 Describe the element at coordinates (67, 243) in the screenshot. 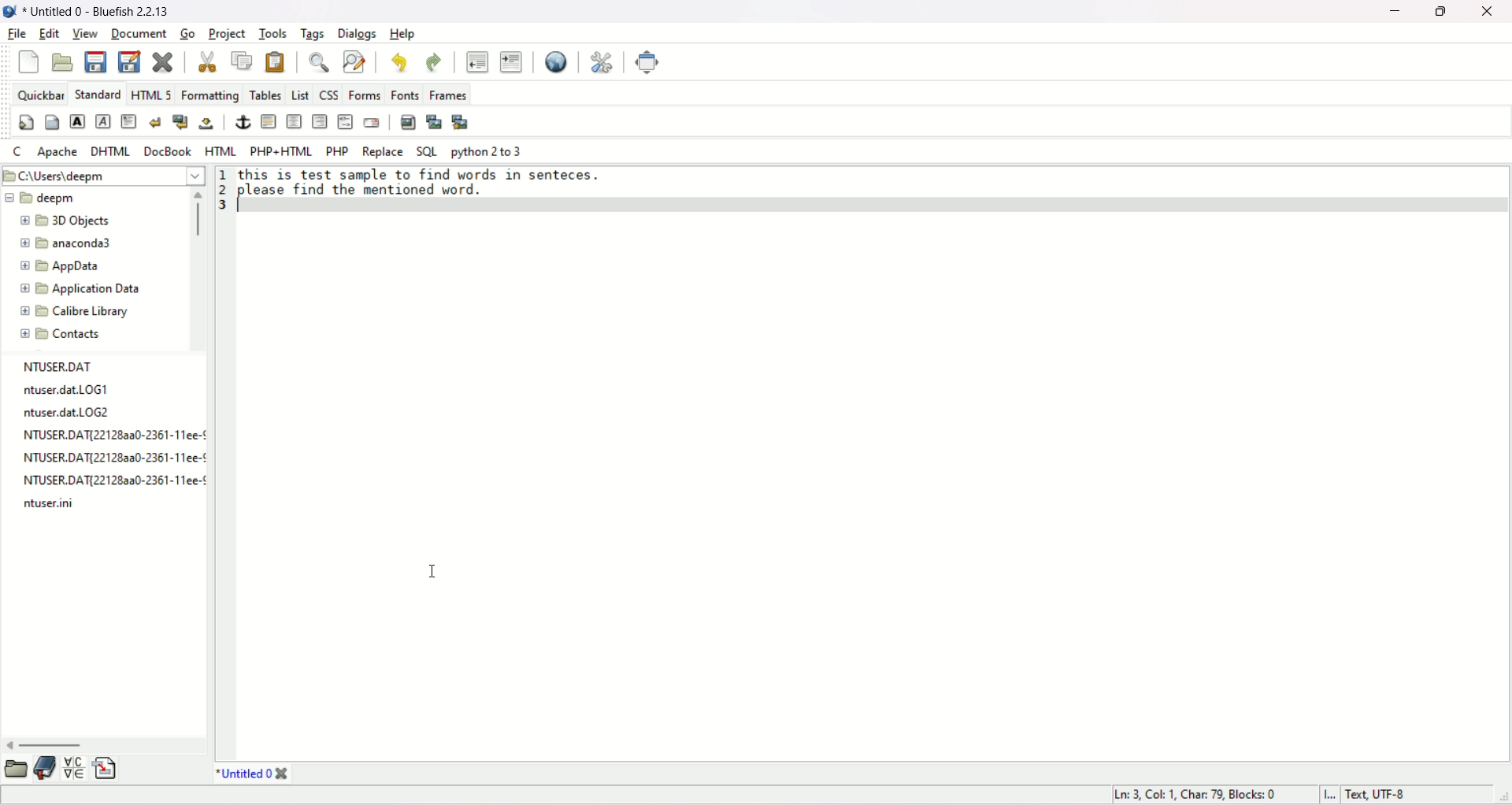

I see `anaconda3` at that location.